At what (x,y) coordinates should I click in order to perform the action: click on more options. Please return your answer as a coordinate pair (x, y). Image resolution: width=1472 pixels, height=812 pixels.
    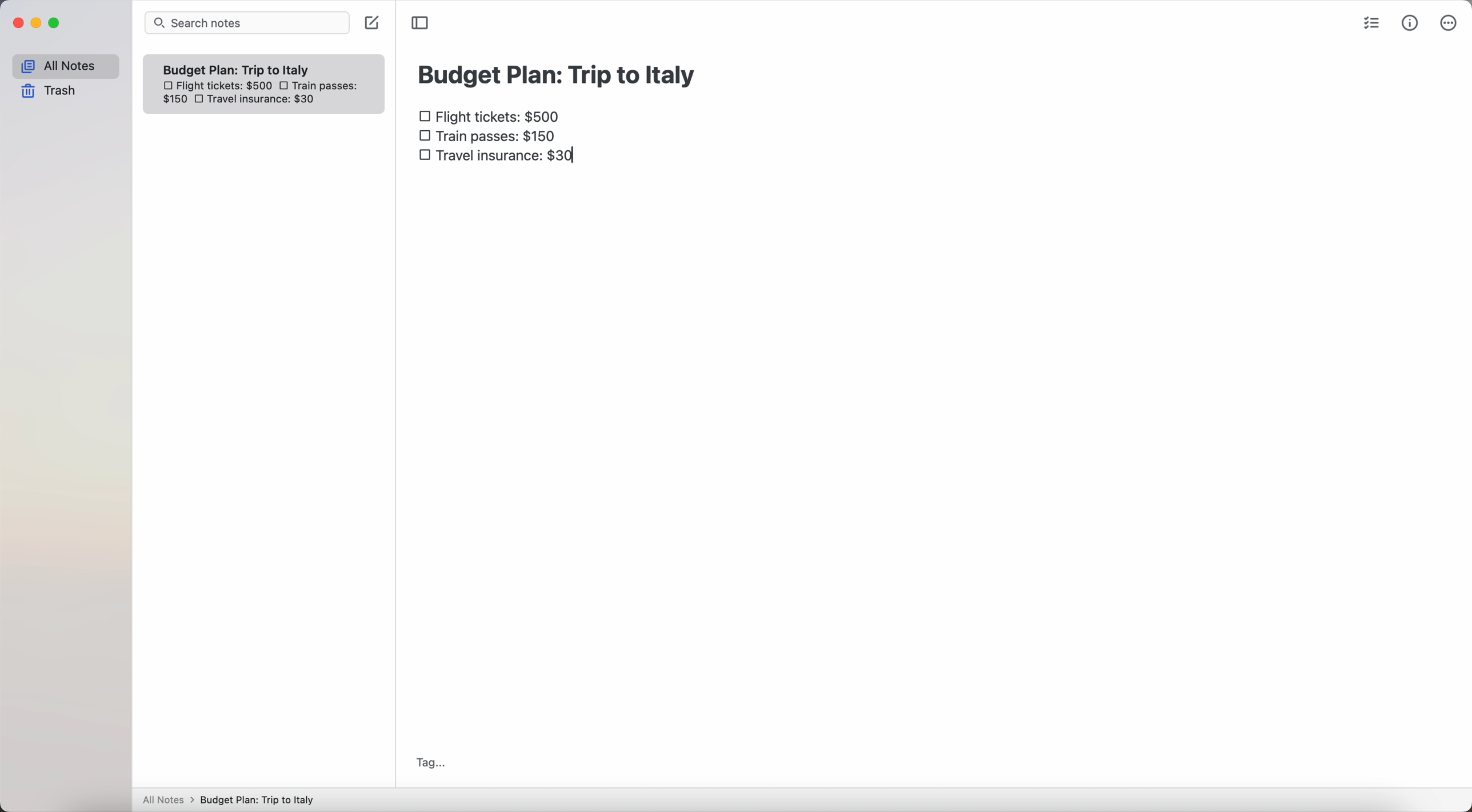
    Looking at the image, I should click on (1449, 23).